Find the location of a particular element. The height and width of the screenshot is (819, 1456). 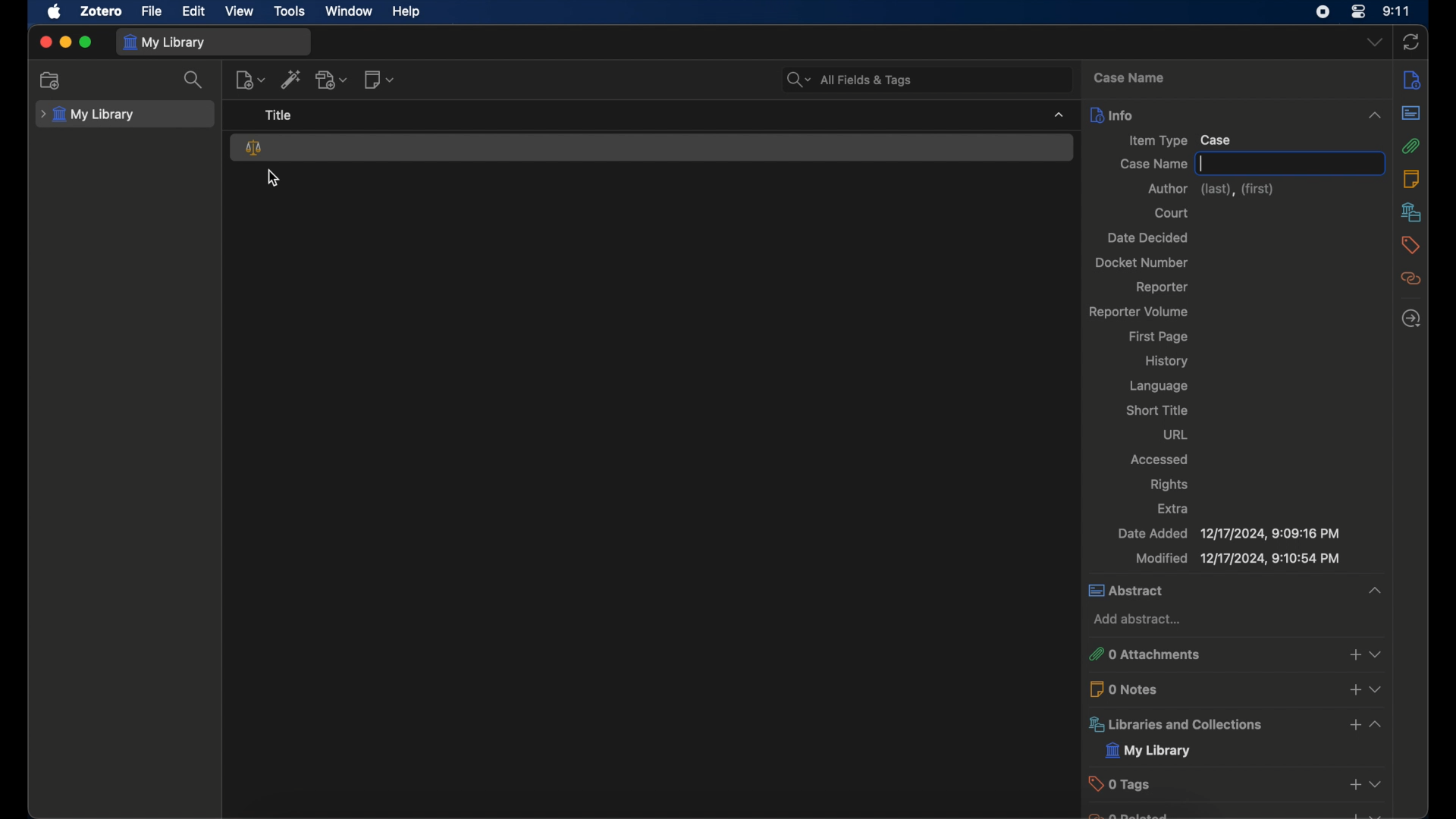

court is located at coordinates (1173, 212).